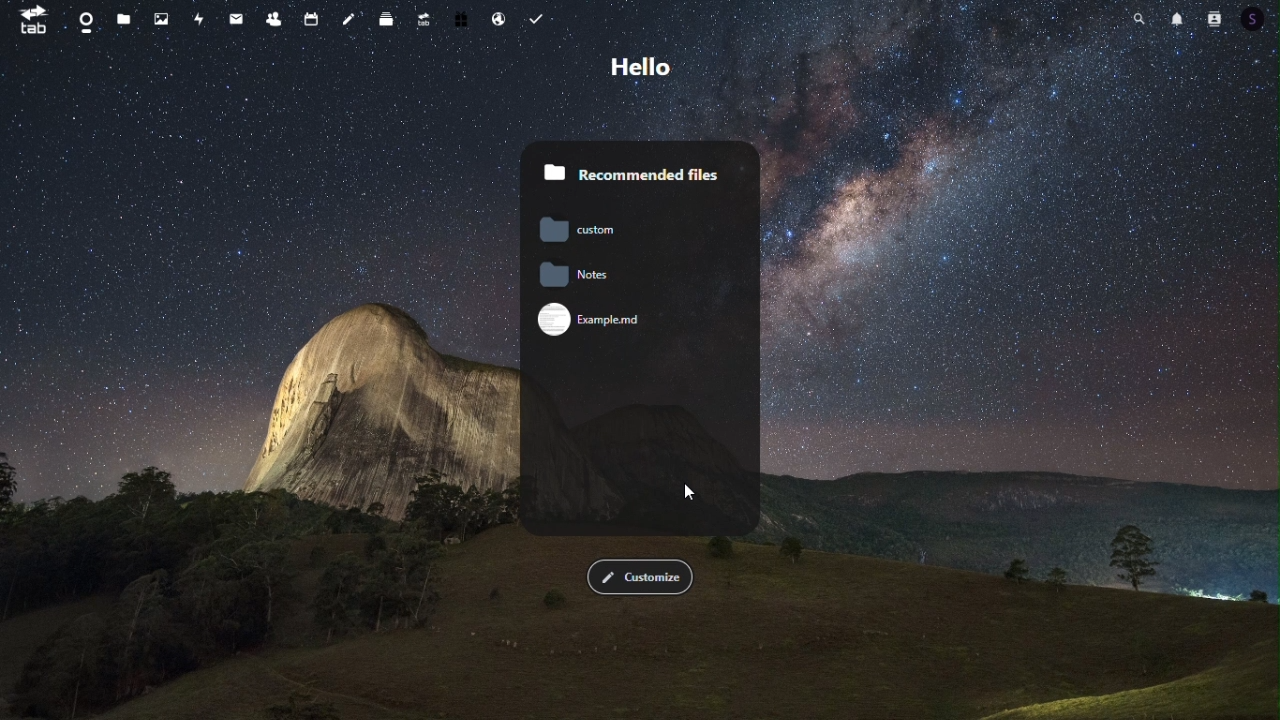  Describe the element at coordinates (123, 19) in the screenshot. I see `files` at that location.